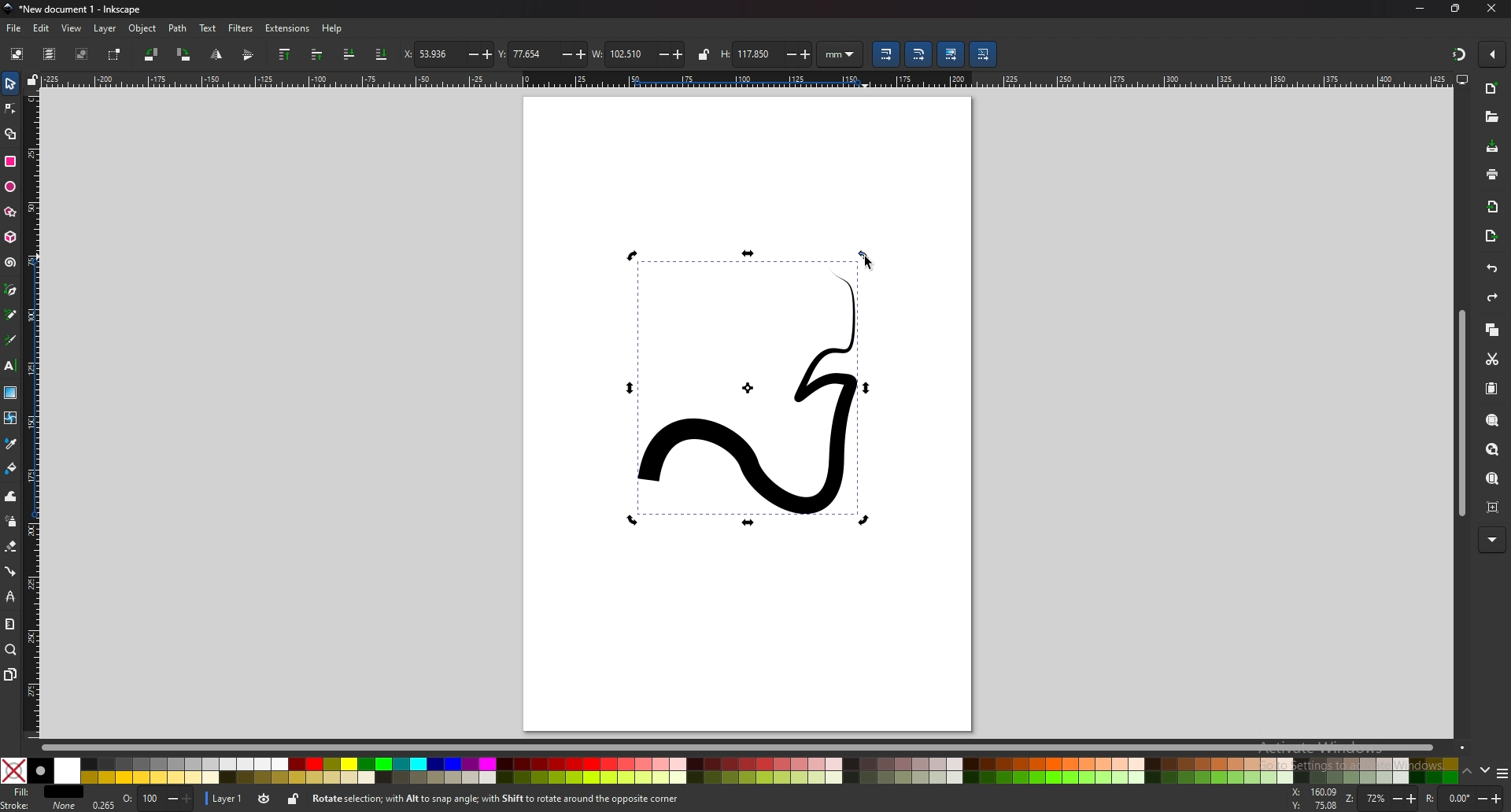 This screenshot has height=812, width=1511. What do you see at coordinates (918, 54) in the screenshot?
I see `scale radii` at bounding box center [918, 54].